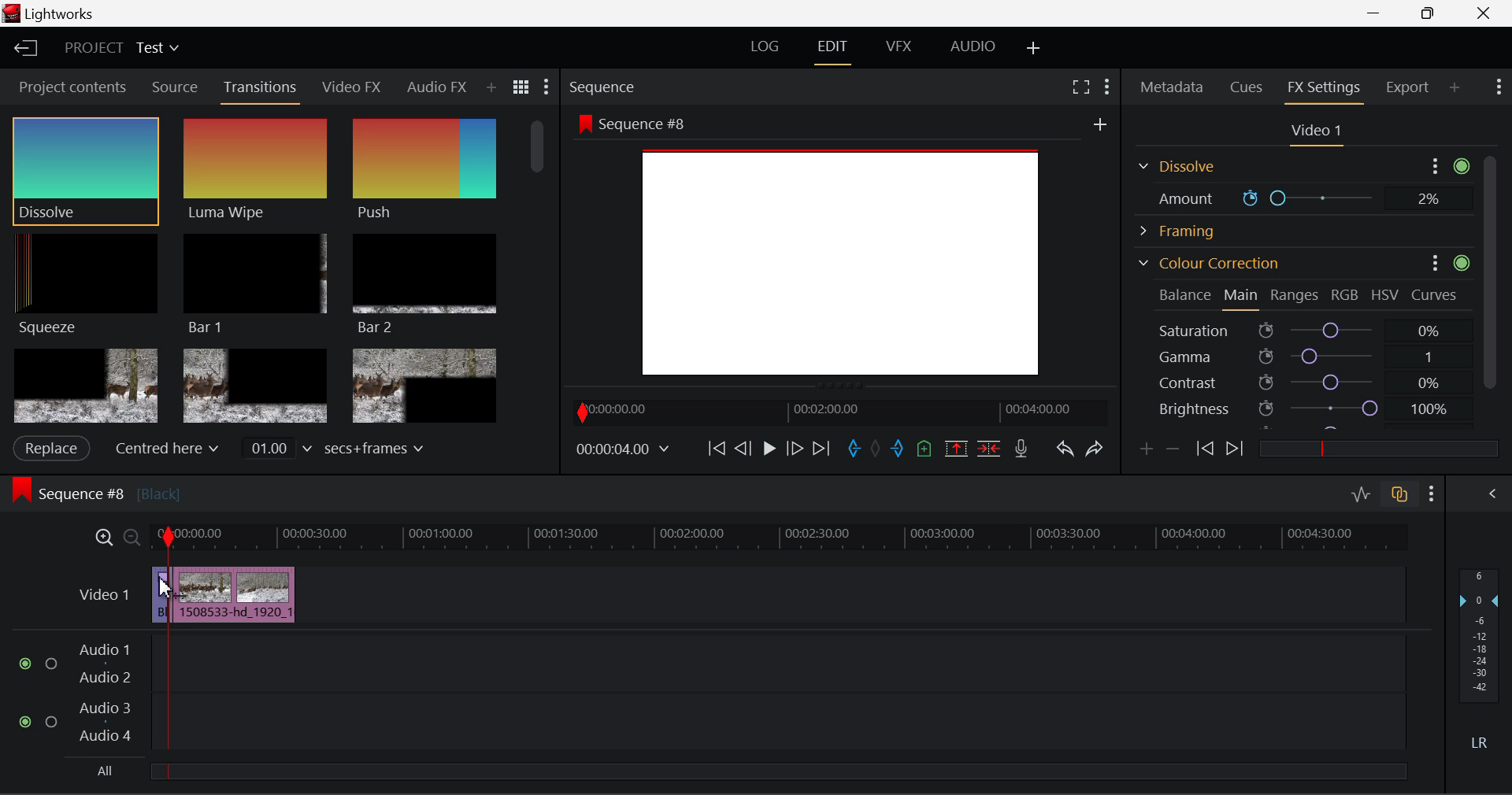 The width and height of the screenshot is (1512, 795). I want to click on Go Back, so click(745, 447).